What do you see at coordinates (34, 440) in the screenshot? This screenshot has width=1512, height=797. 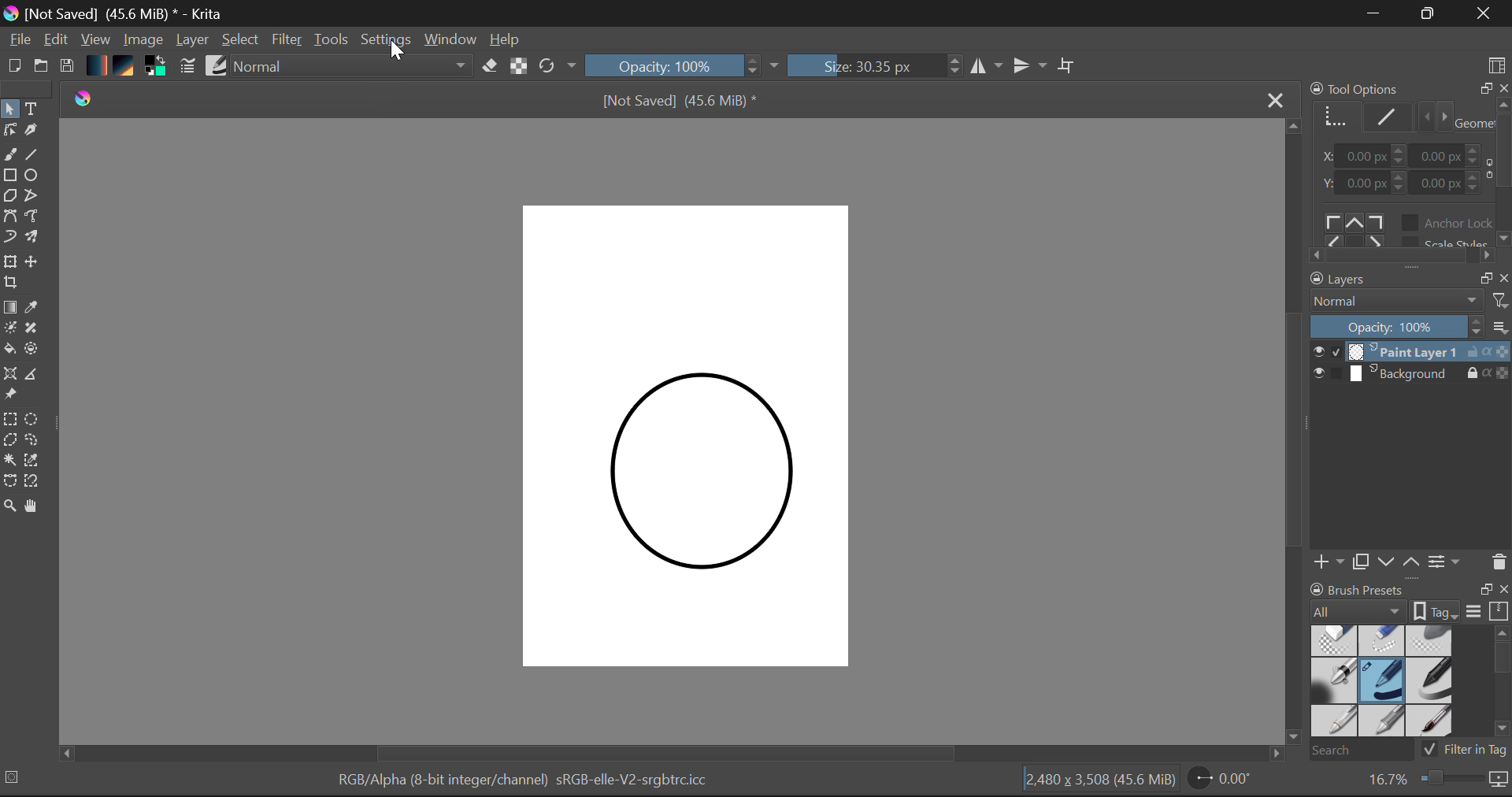 I see `Freehand Selection` at bounding box center [34, 440].